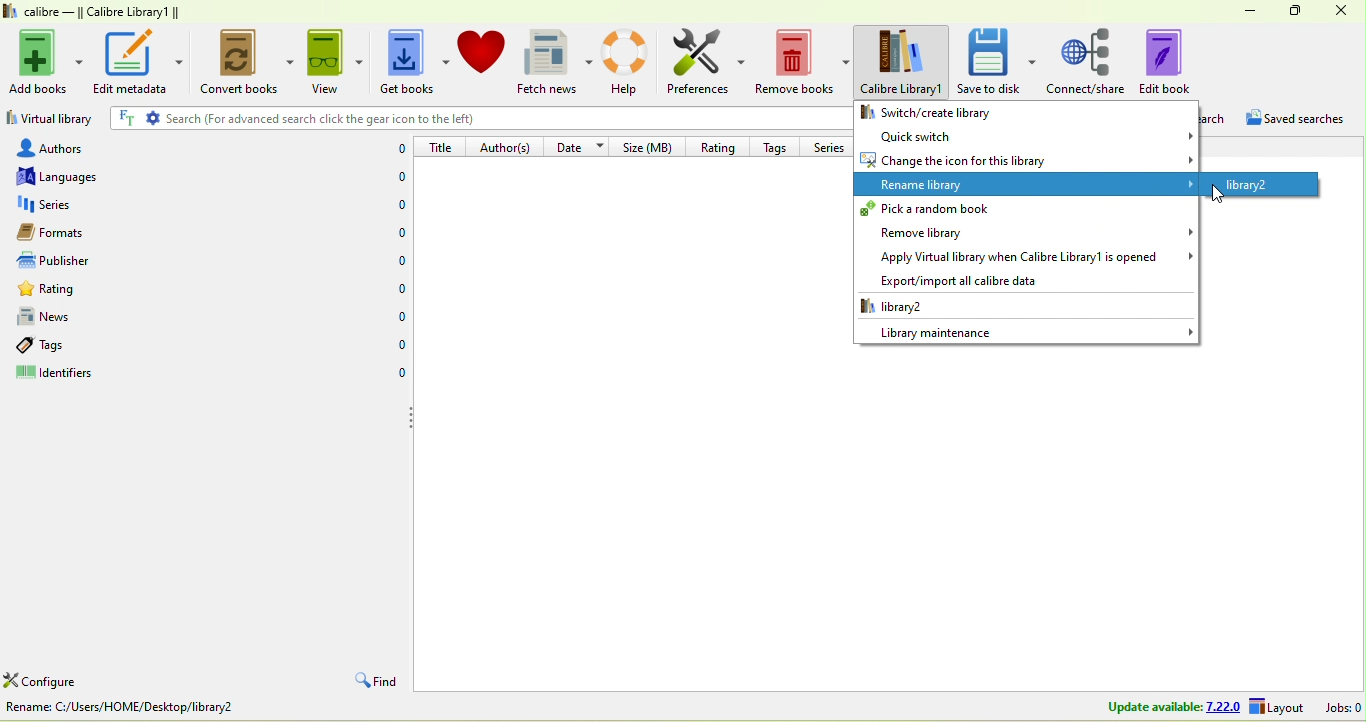 The height and width of the screenshot is (722, 1366). I want to click on minimize, so click(1243, 9).